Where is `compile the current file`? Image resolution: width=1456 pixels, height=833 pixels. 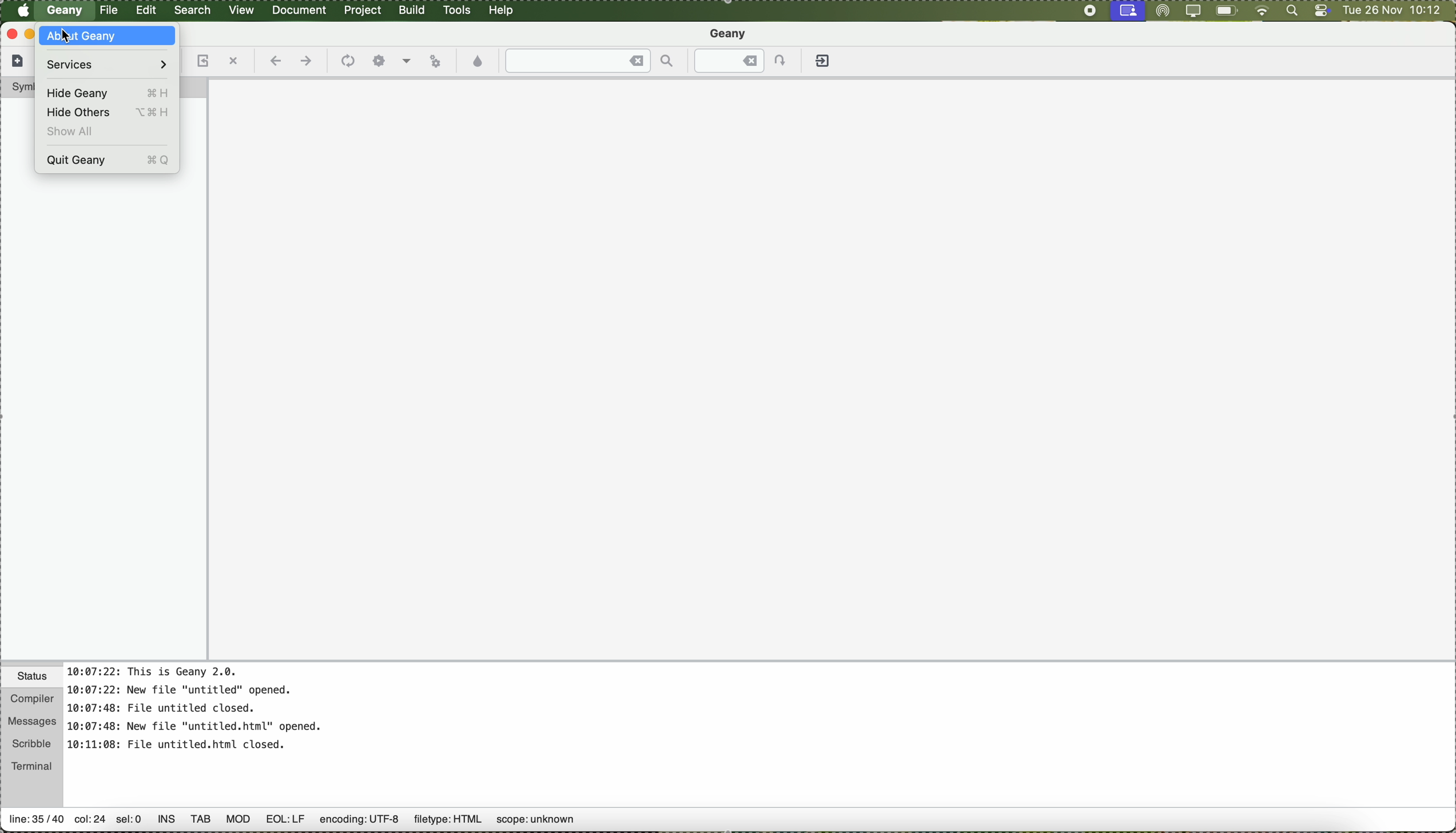
compile the current file is located at coordinates (347, 62).